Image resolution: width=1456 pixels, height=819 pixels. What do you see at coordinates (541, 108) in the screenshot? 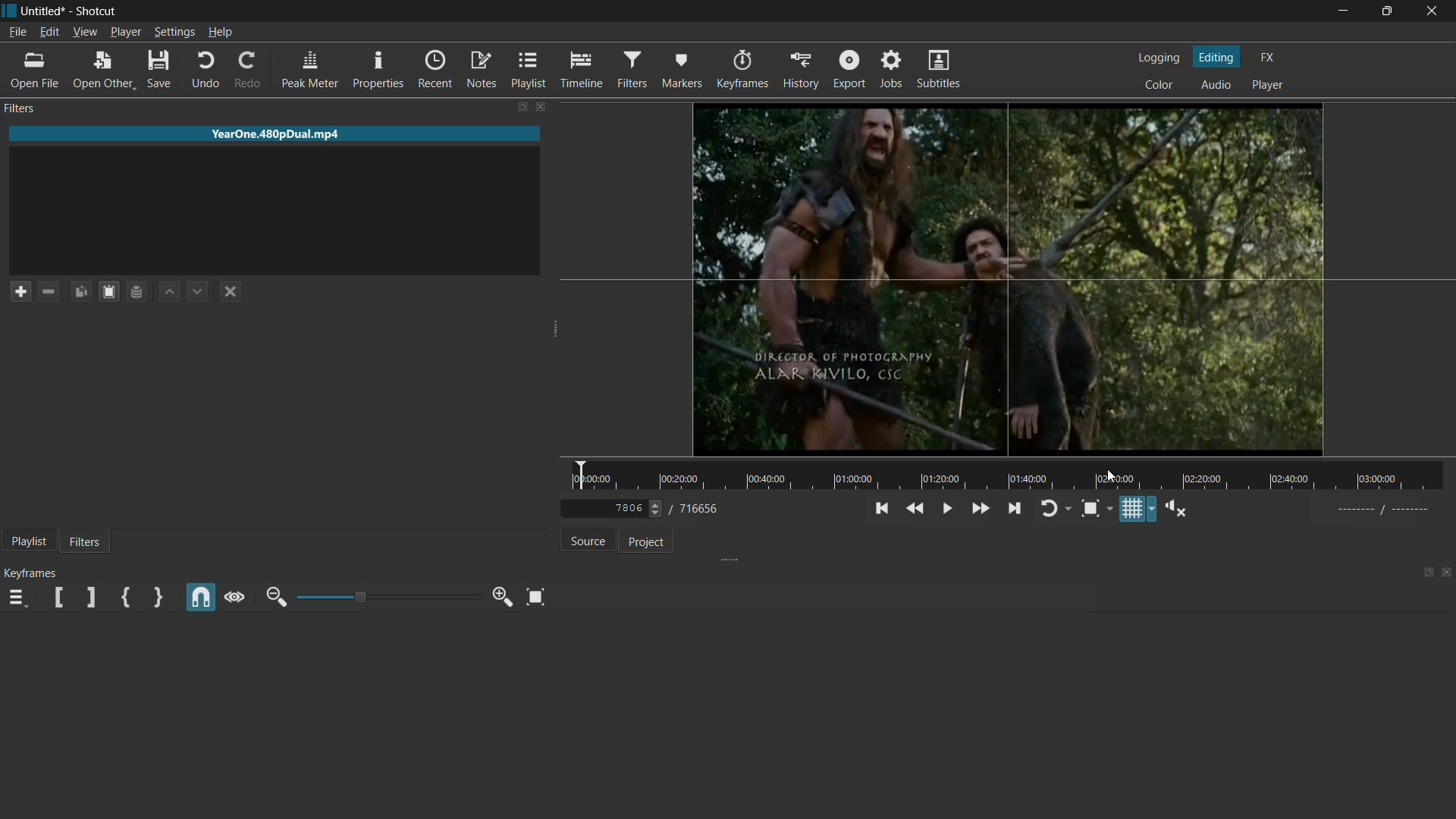
I see `close filters` at bounding box center [541, 108].